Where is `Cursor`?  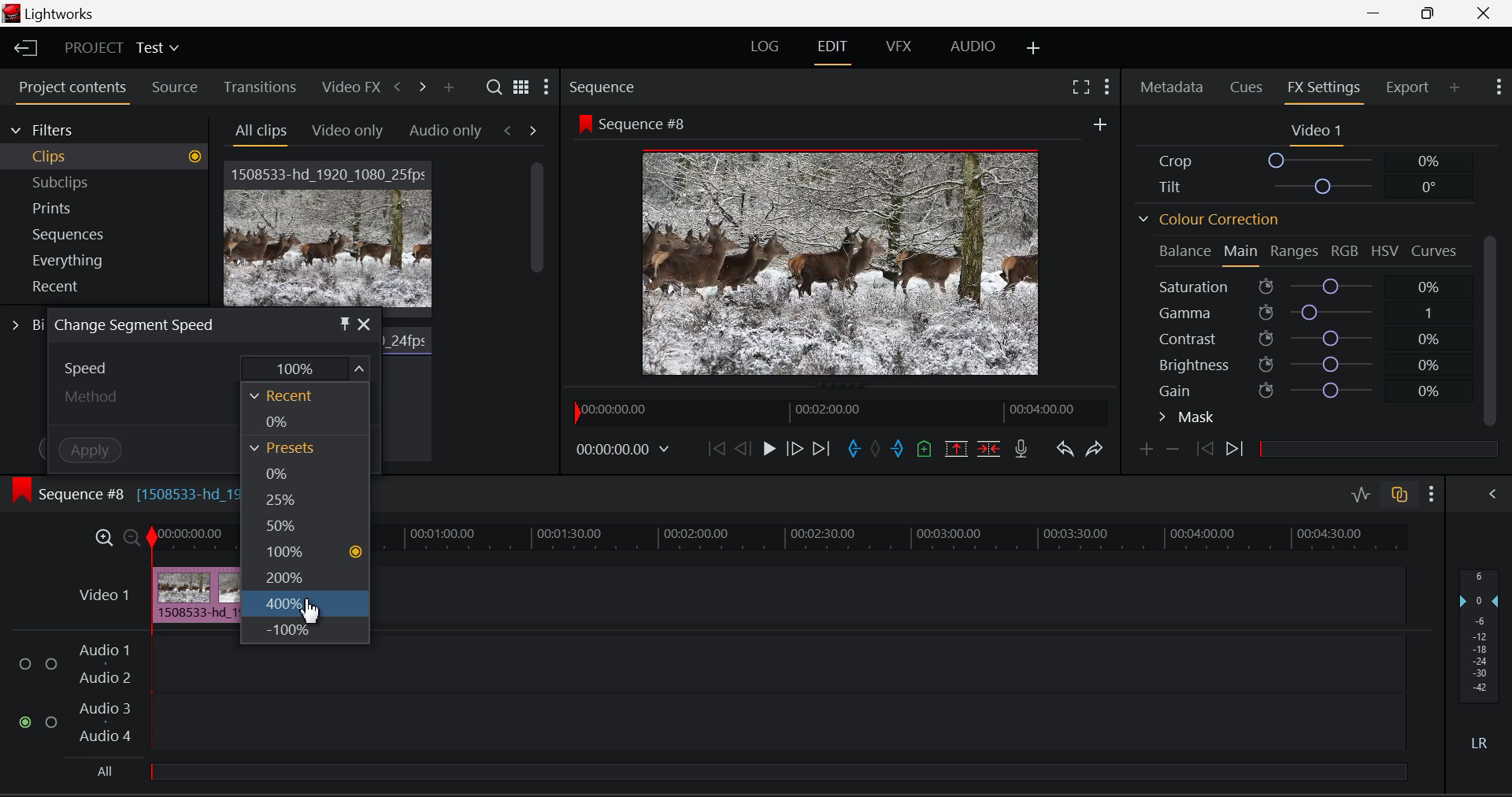
Cursor is located at coordinates (307, 614).